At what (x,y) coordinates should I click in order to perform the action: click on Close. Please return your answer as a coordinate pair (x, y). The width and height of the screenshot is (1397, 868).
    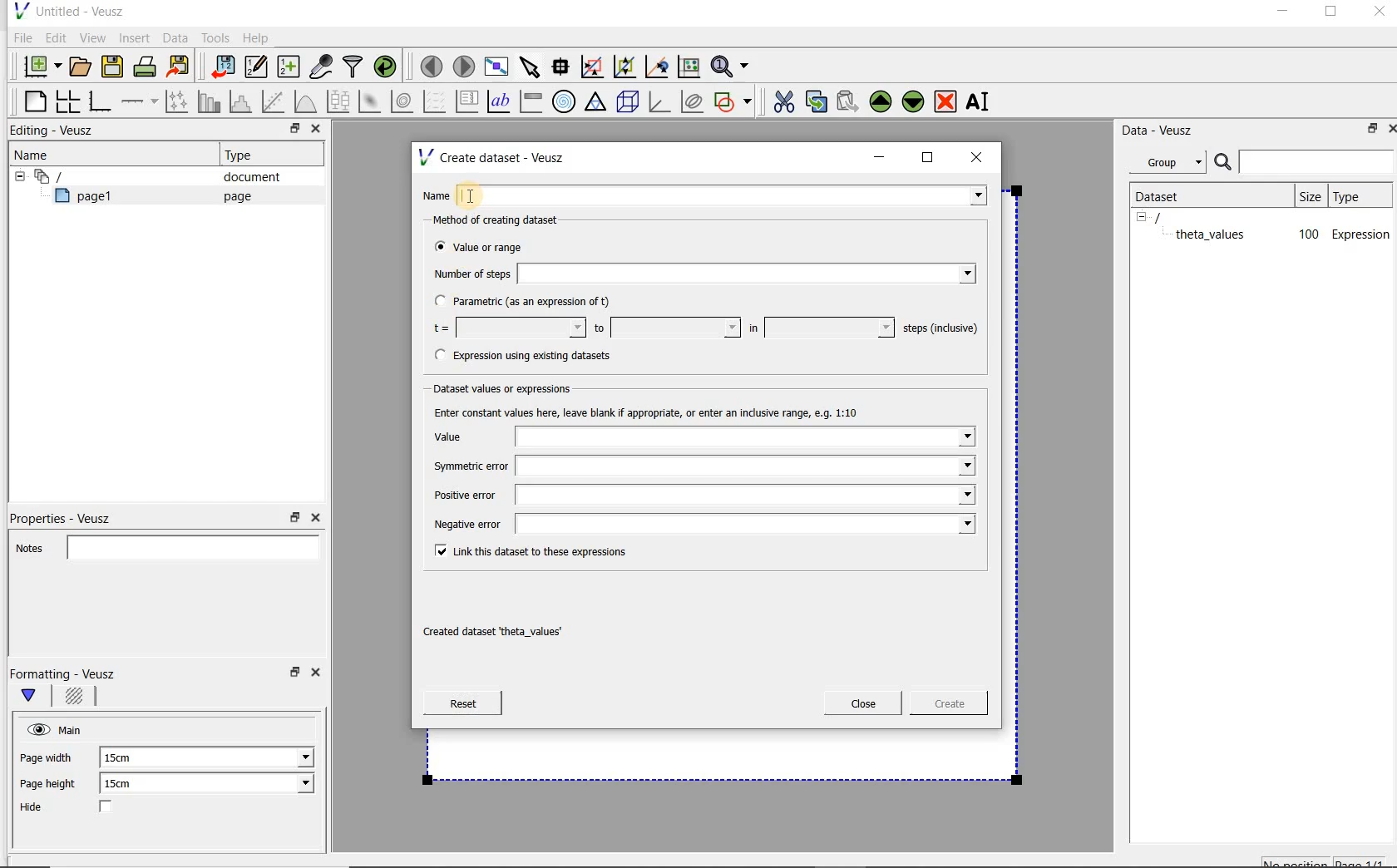
    Looking at the image, I should click on (314, 131).